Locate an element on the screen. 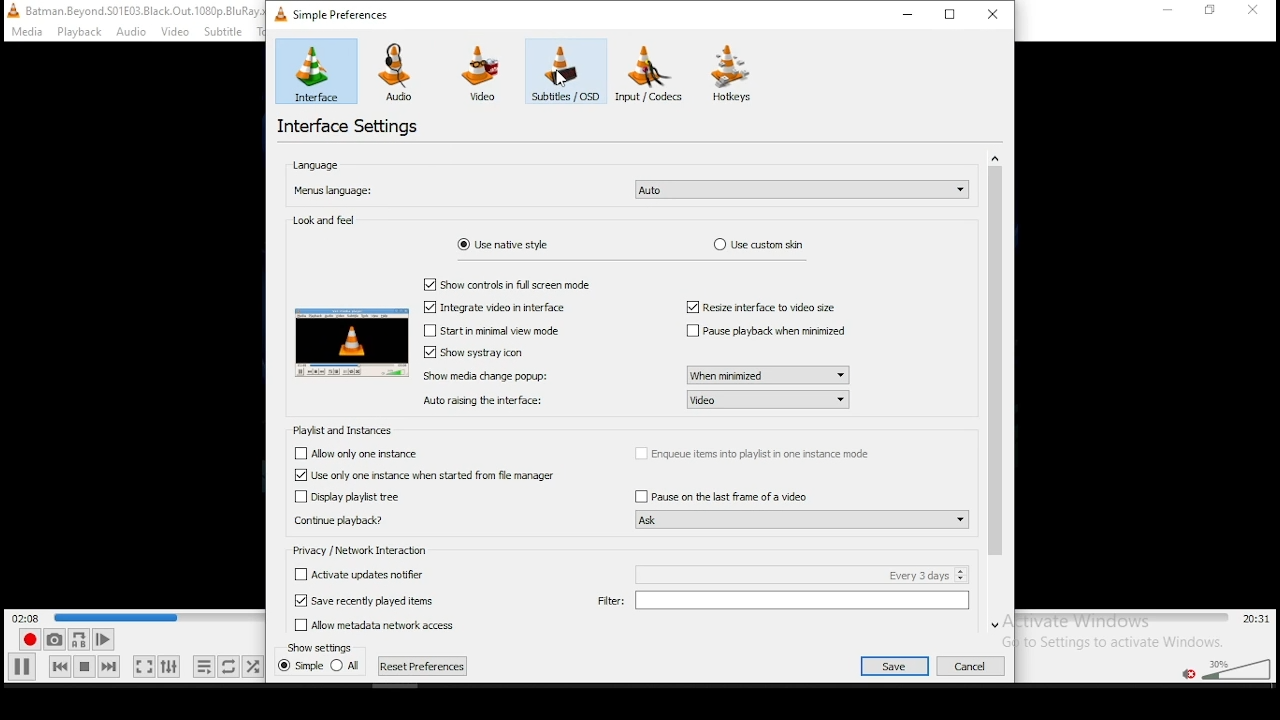  elapsed time is located at coordinates (28, 617).